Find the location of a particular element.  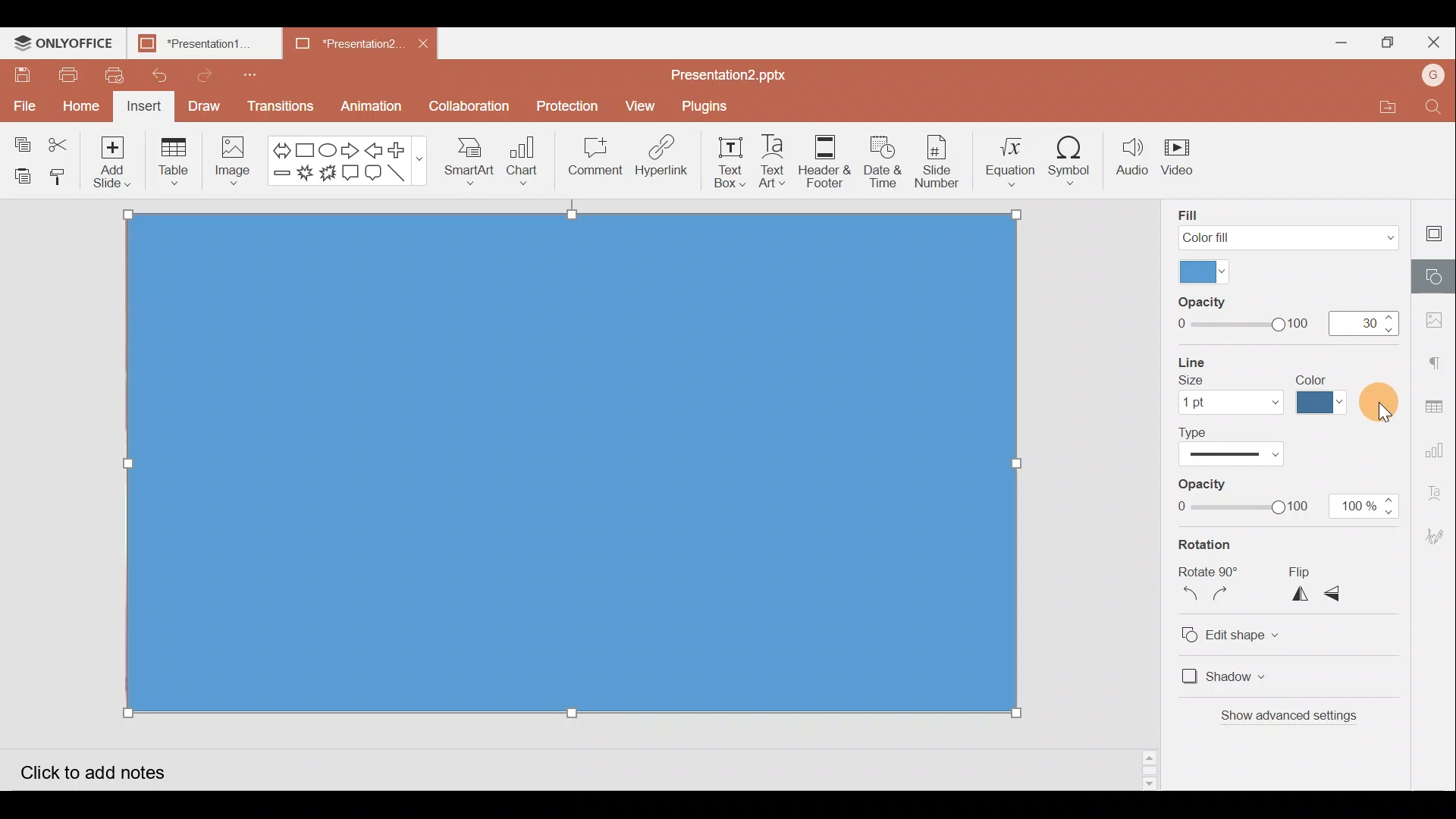

SmartArt is located at coordinates (468, 164).